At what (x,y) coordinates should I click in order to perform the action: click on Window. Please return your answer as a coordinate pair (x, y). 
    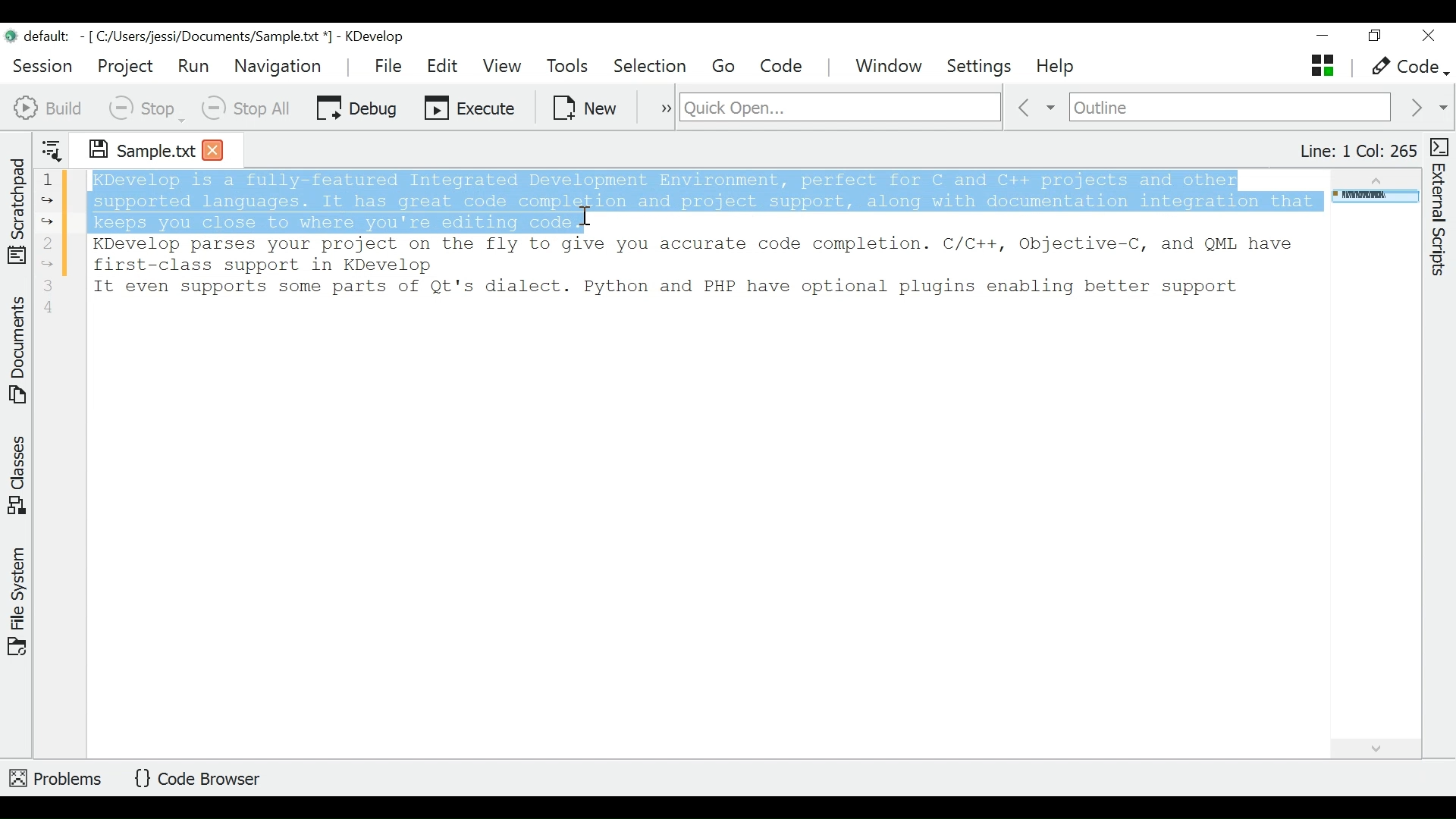
    Looking at the image, I should click on (891, 67).